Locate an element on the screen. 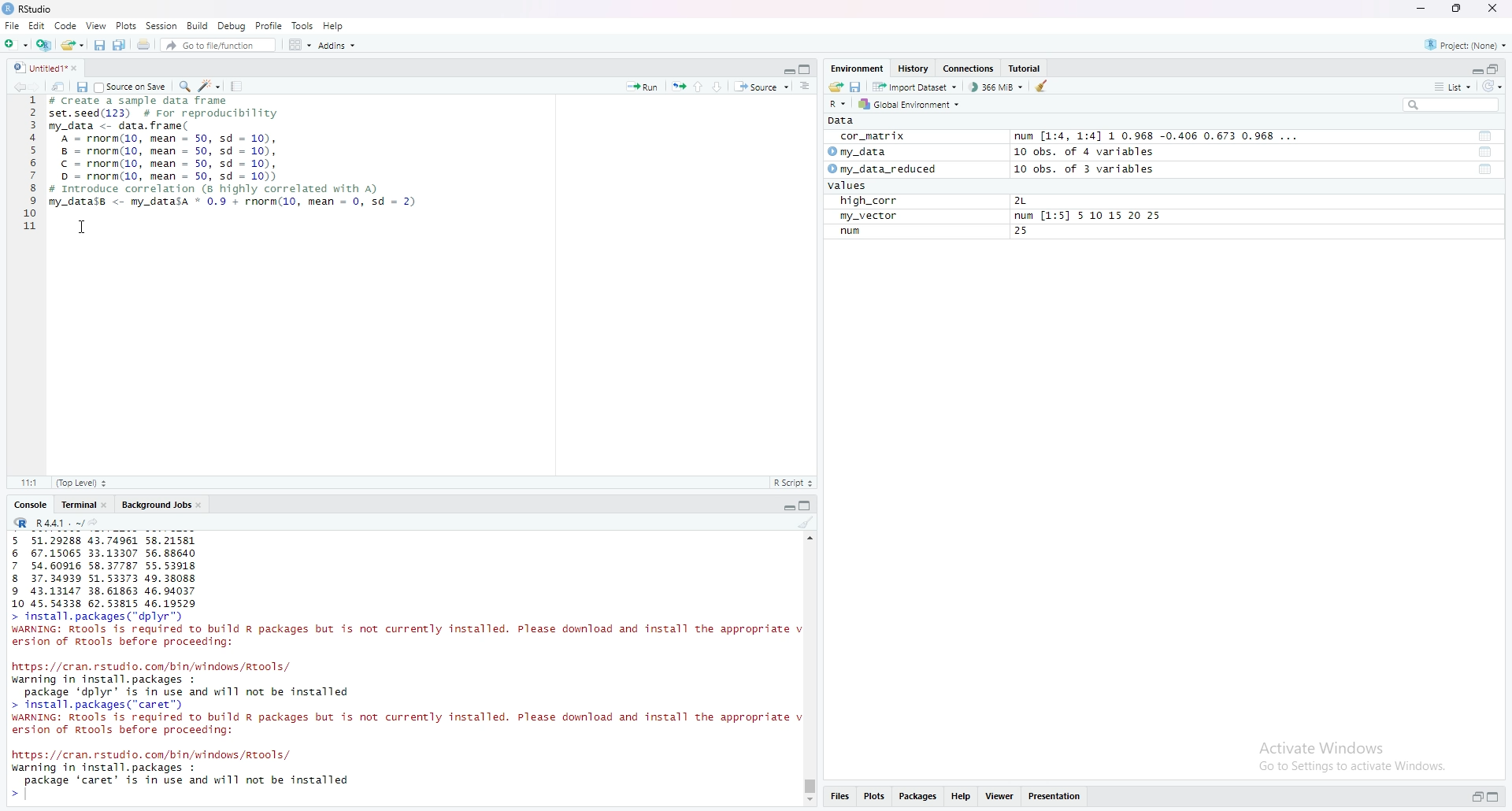 The width and height of the screenshot is (1512, 811). Help is located at coordinates (961, 797).